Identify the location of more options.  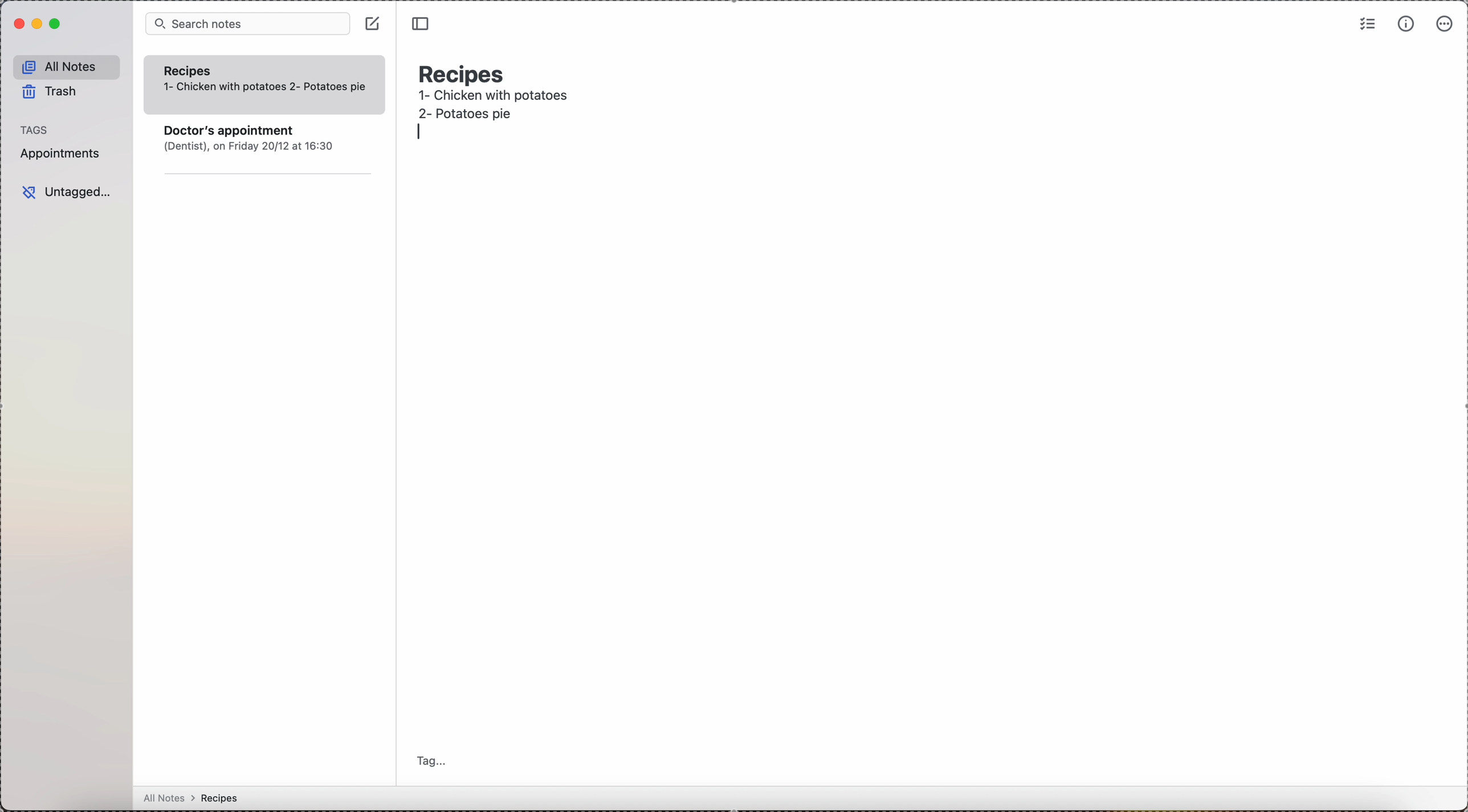
(1443, 25).